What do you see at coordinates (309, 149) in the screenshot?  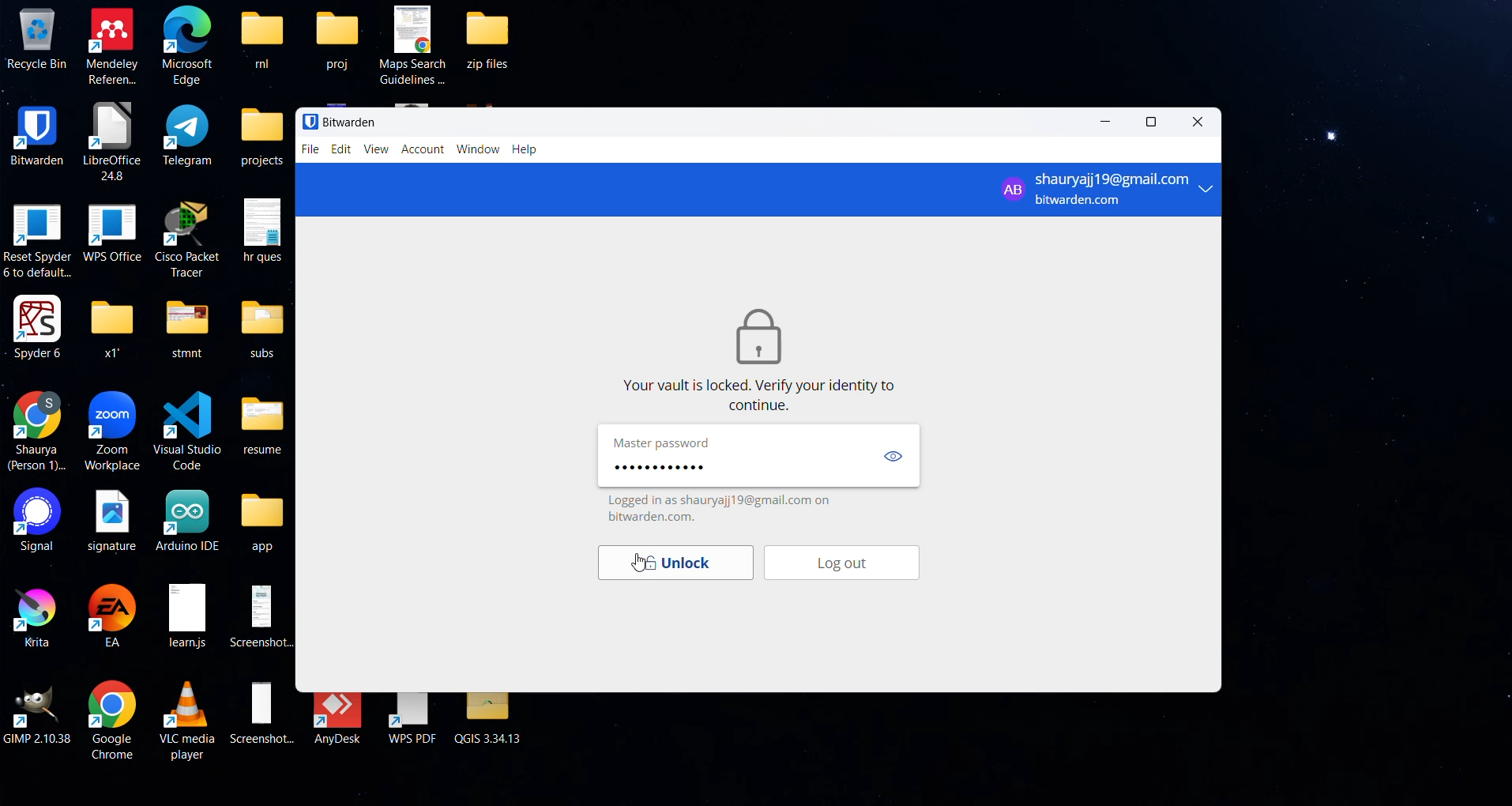 I see `file` at bounding box center [309, 149].